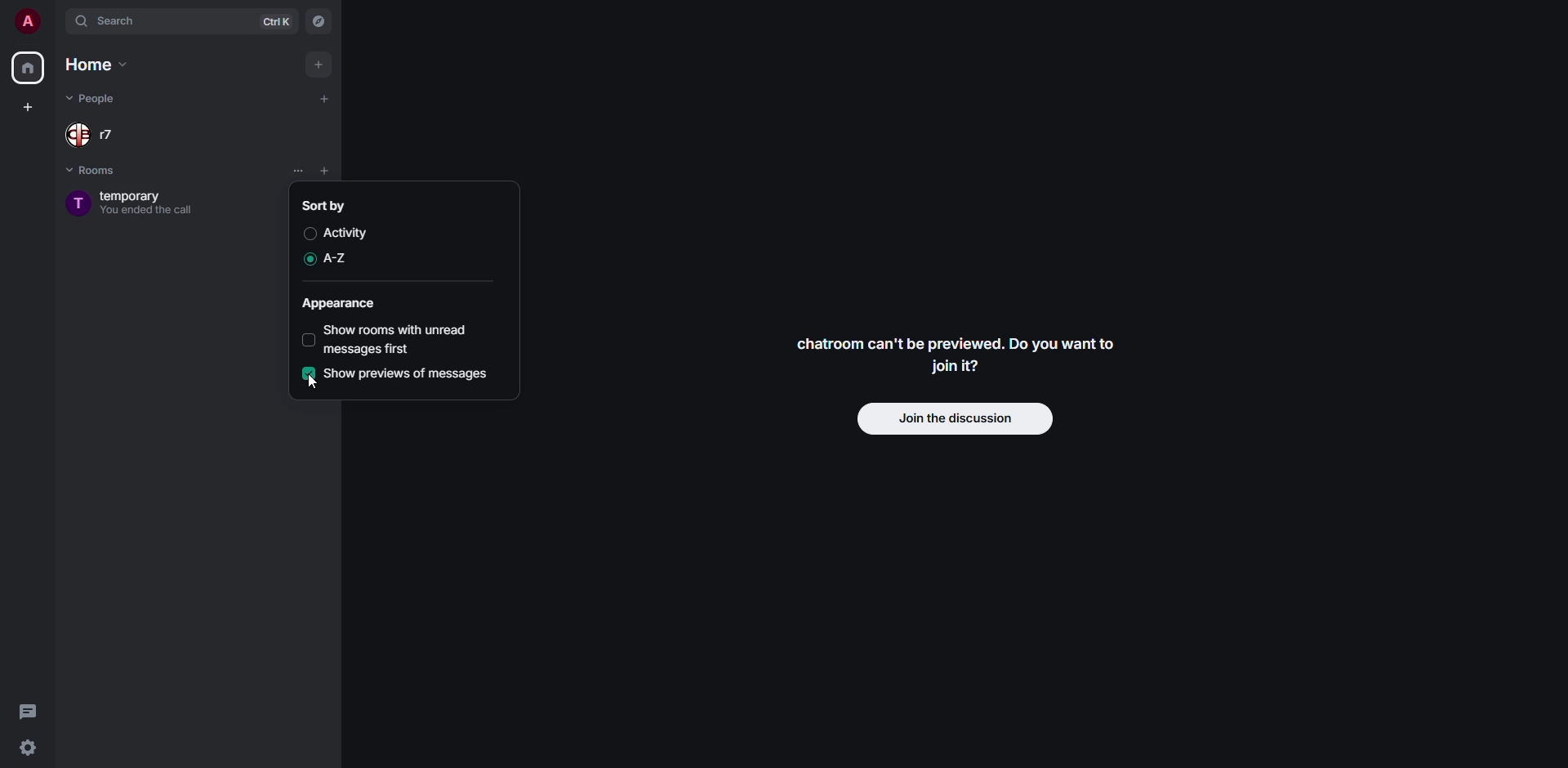  Describe the element at coordinates (277, 21) in the screenshot. I see `ctrl K` at that location.